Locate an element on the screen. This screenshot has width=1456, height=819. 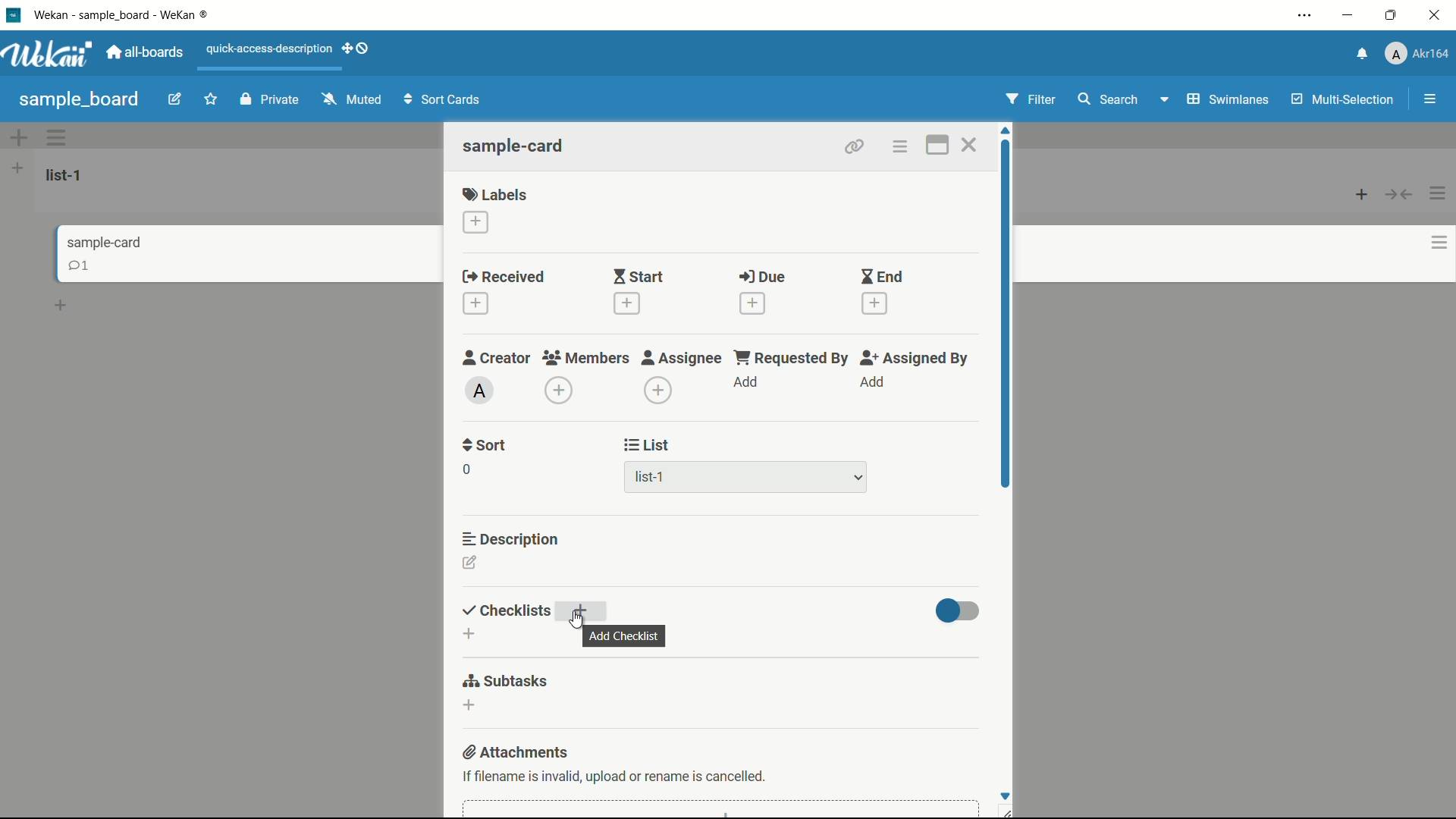
menu is located at coordinates (1429, 98).